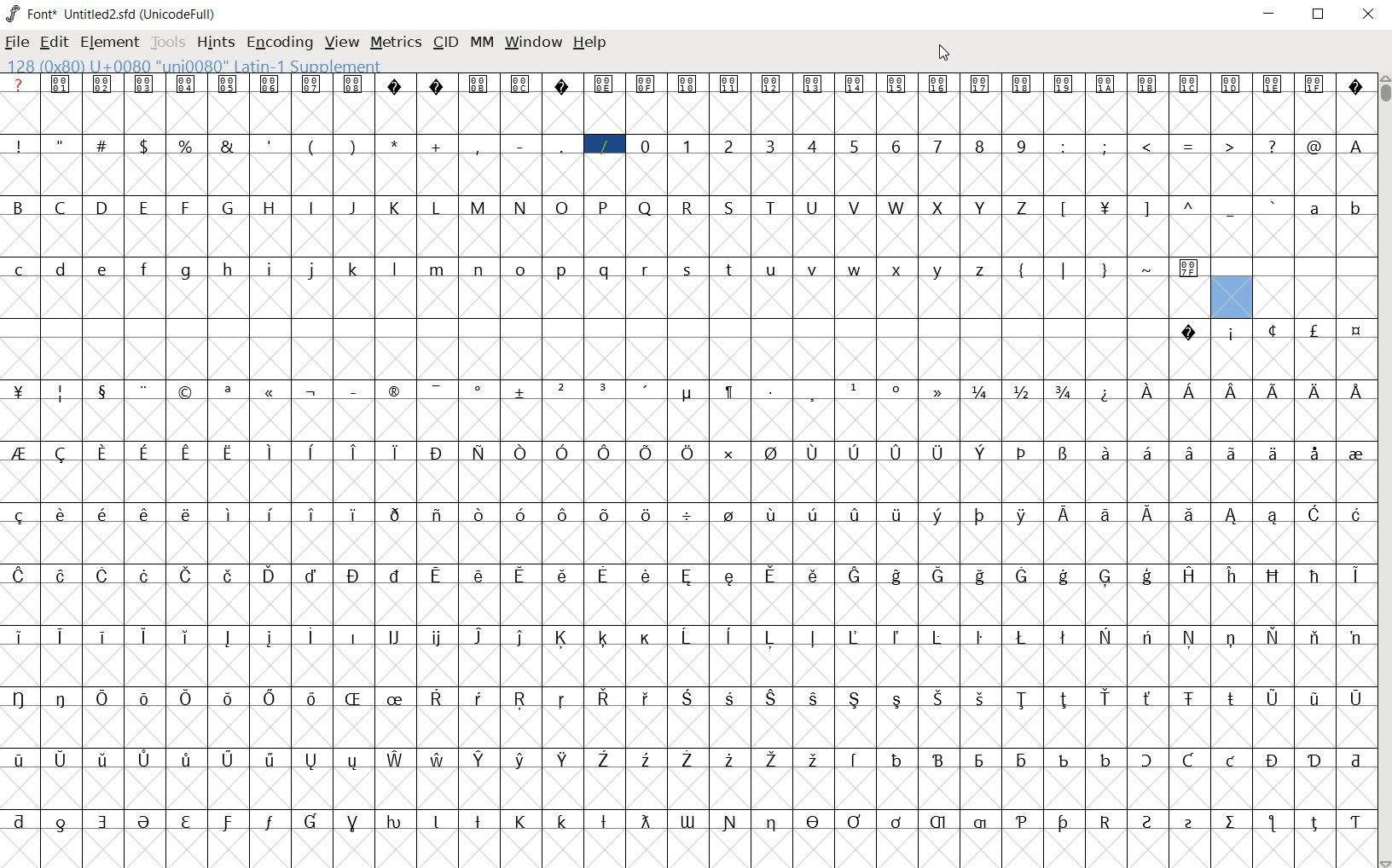 The height and width of the screenshot is (868, 1392). What do you see at coordinates (1273, 330) in the screenshot?
I see `glyph` at bounding box center [1273, 330].